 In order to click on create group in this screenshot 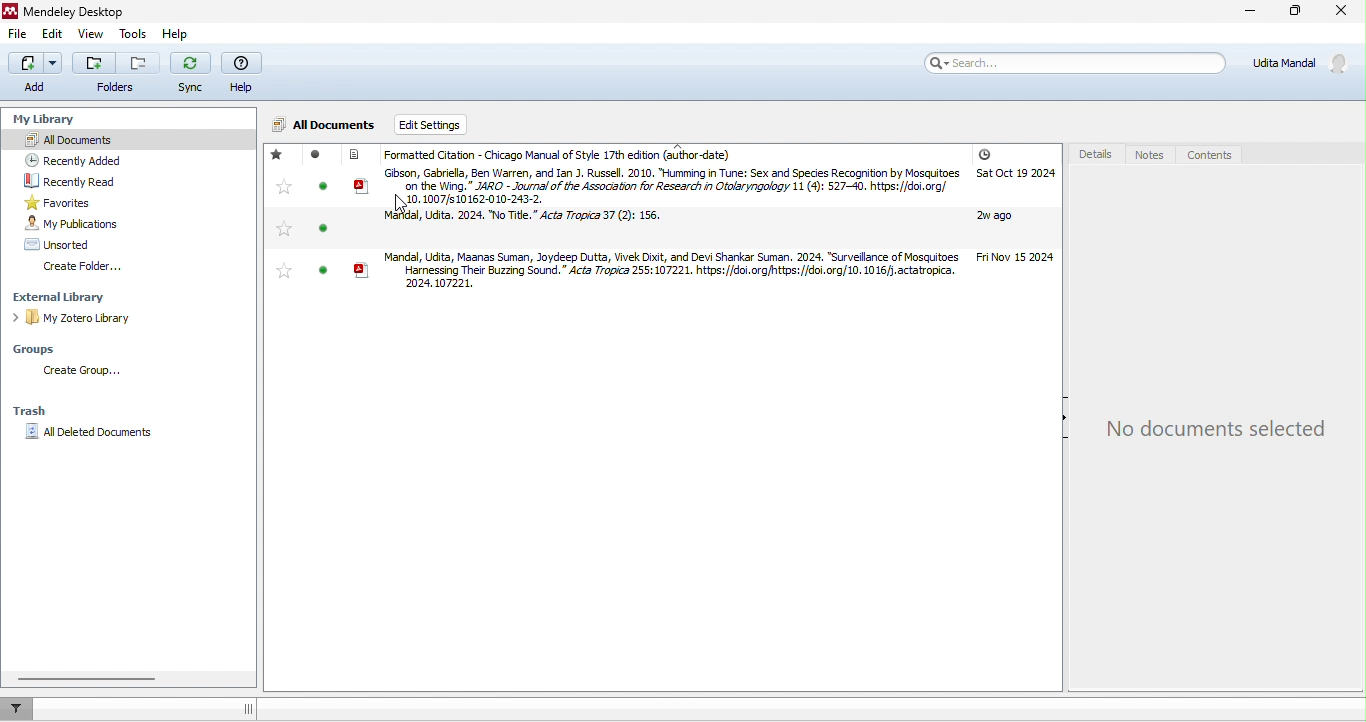, I will do `click(88, 373)`.